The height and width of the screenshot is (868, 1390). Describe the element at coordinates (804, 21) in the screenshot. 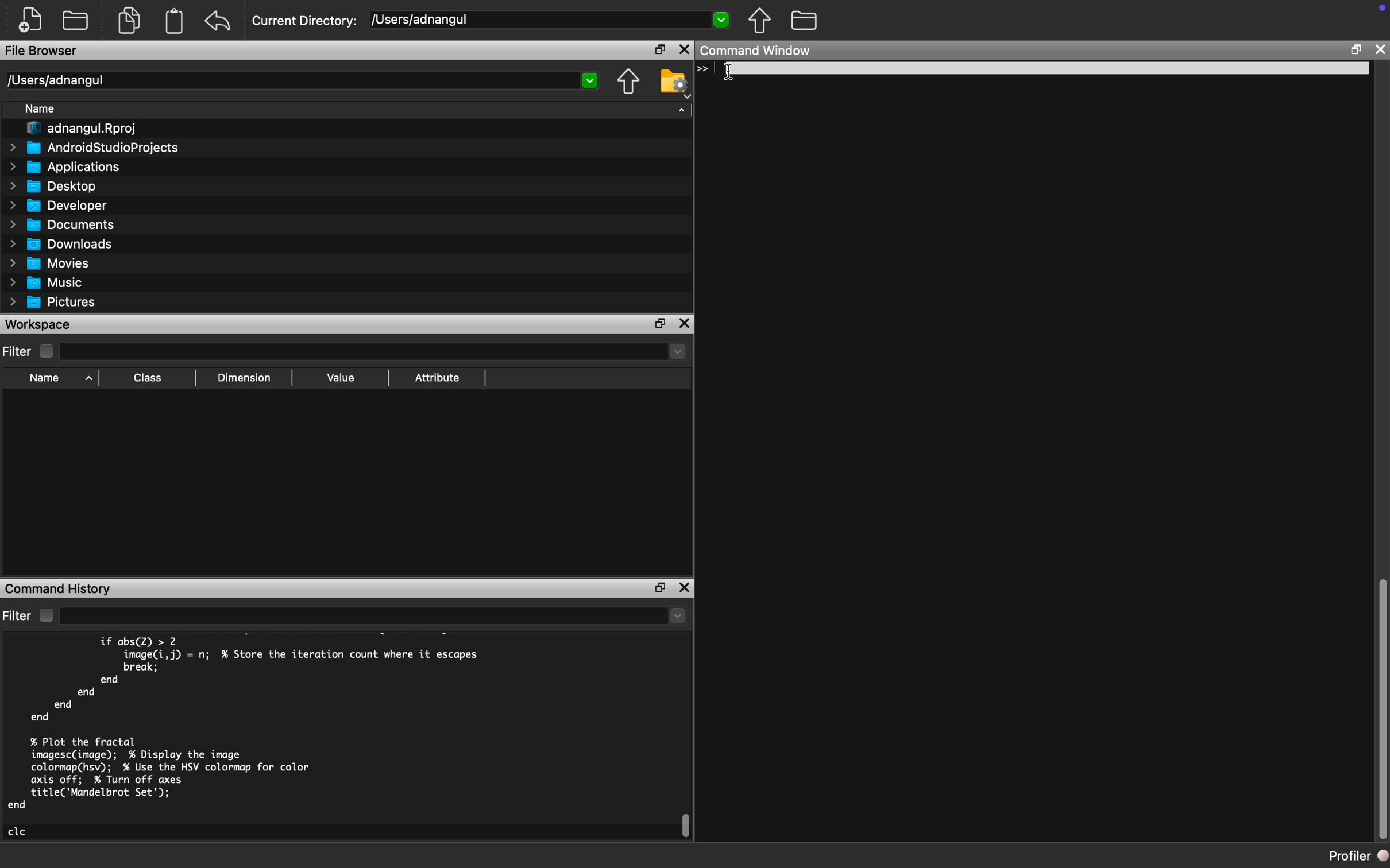

I see `Folder` at that location.